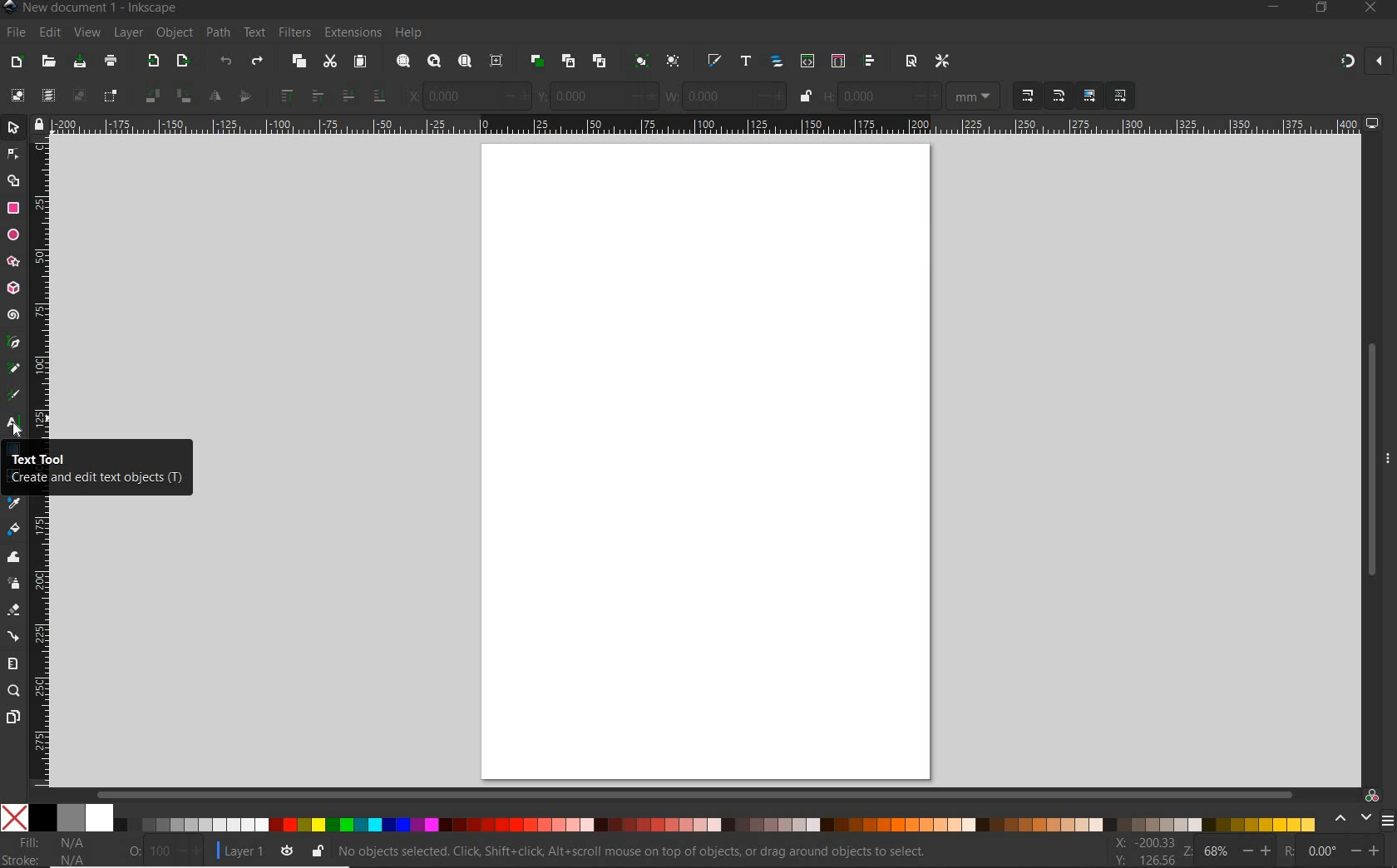 This screenshot has width=1397, height=868. Describe the element at coordinates (1090, 96) in the screenshot. I see `move gradient` at that location.